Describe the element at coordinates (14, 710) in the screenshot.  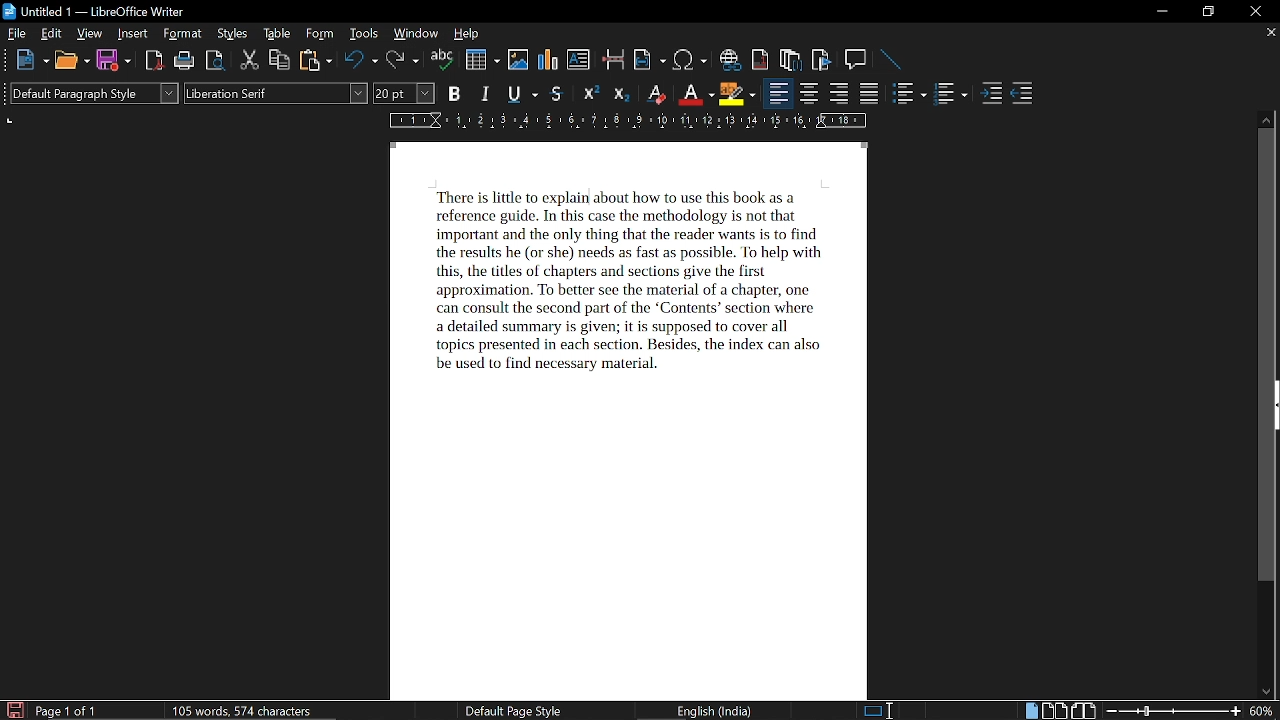
I see `save` at that location.